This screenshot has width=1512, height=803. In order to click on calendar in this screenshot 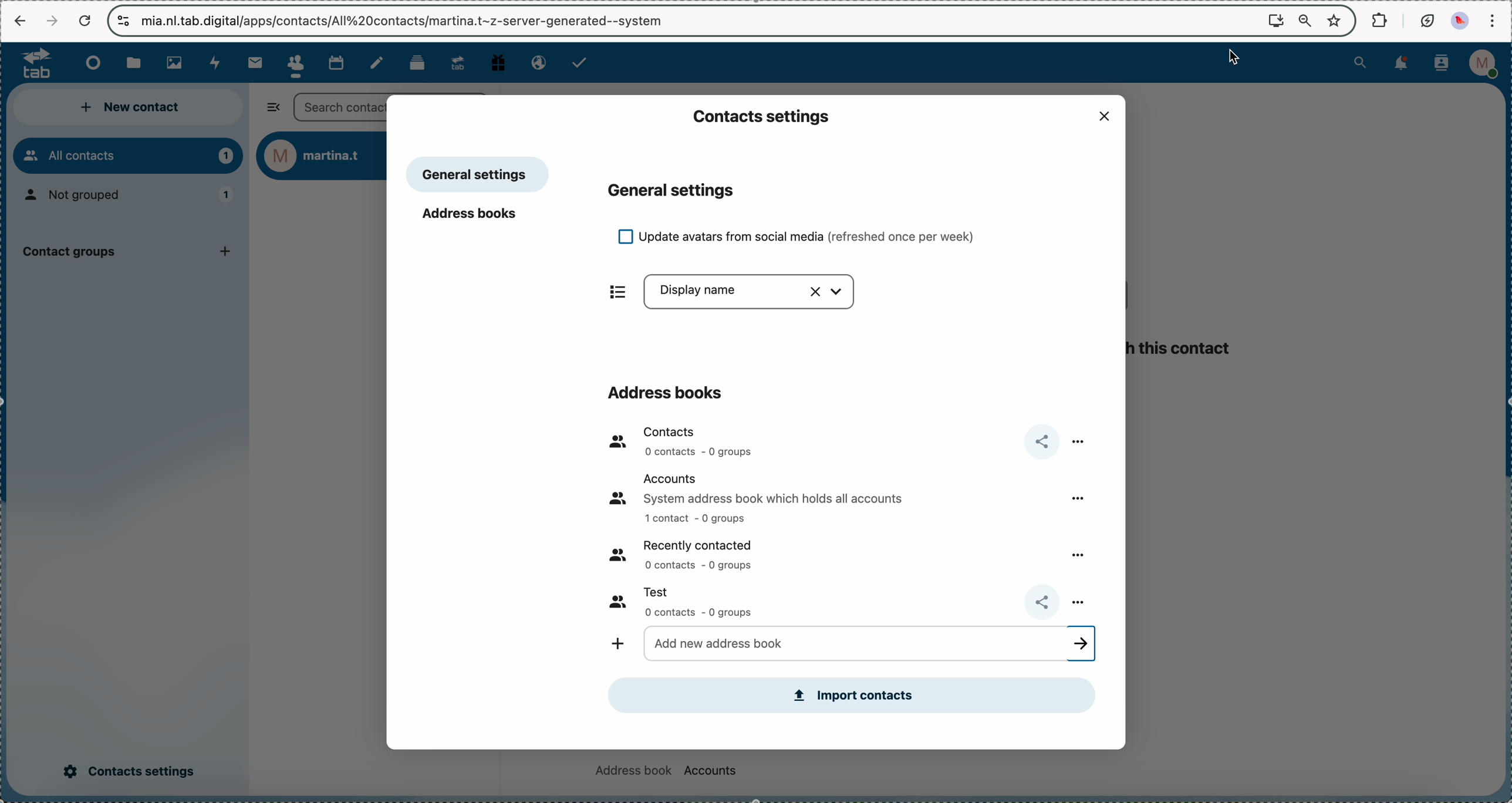, I will do `click(335, 62)`.